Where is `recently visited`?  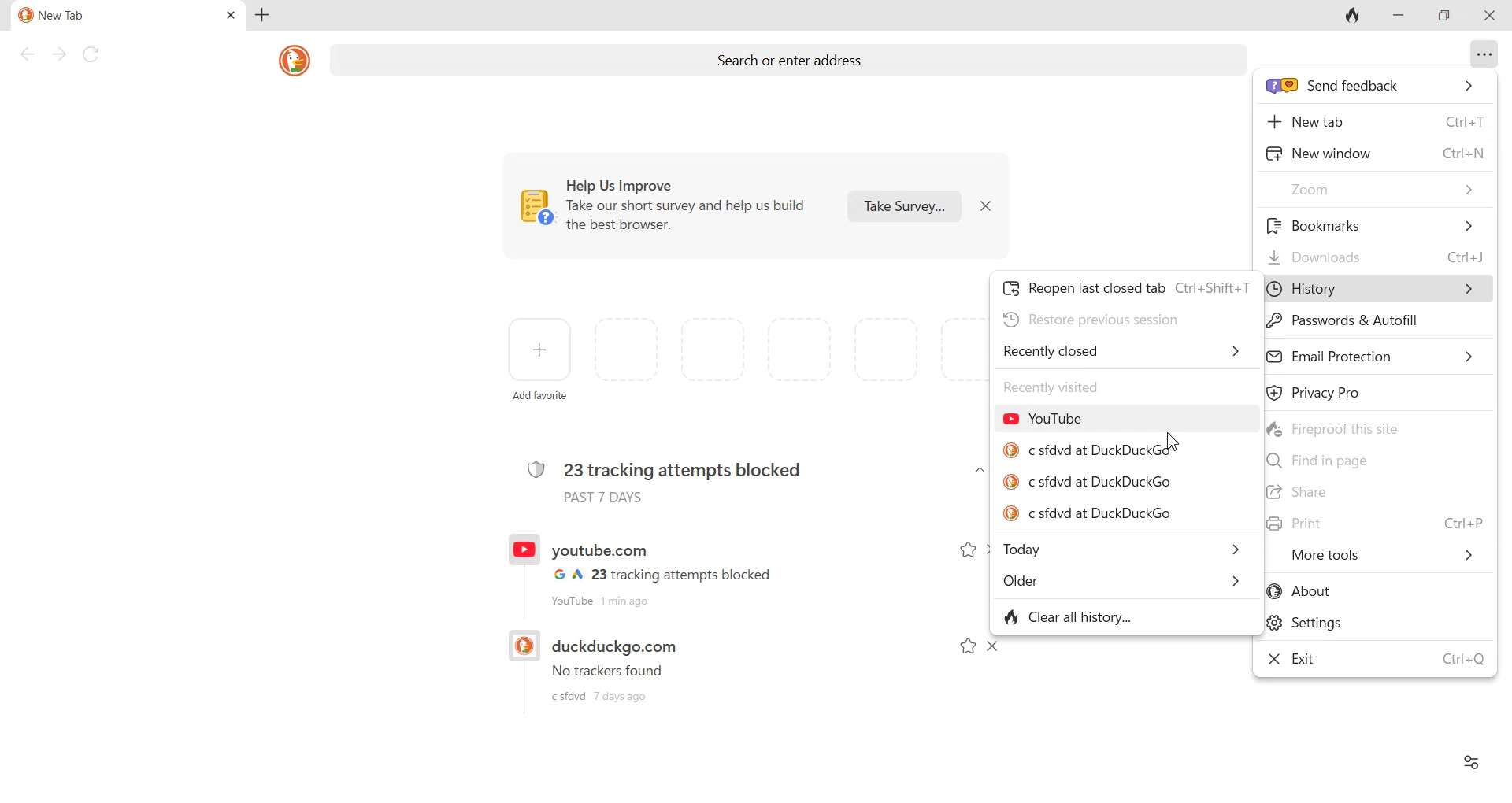 recently visited is located at coordinates (1053, 386).